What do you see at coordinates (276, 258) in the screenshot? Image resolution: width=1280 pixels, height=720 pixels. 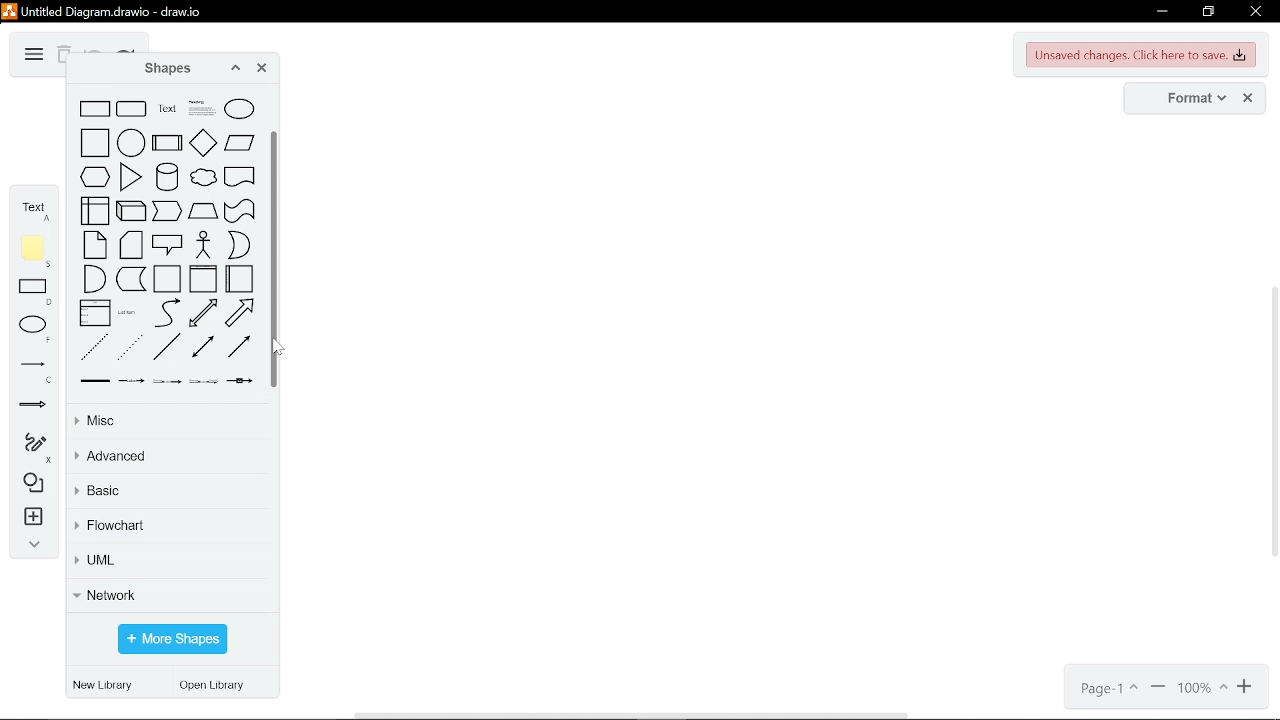 I see `vertical scrollbar` at bounding box center [276, 258].